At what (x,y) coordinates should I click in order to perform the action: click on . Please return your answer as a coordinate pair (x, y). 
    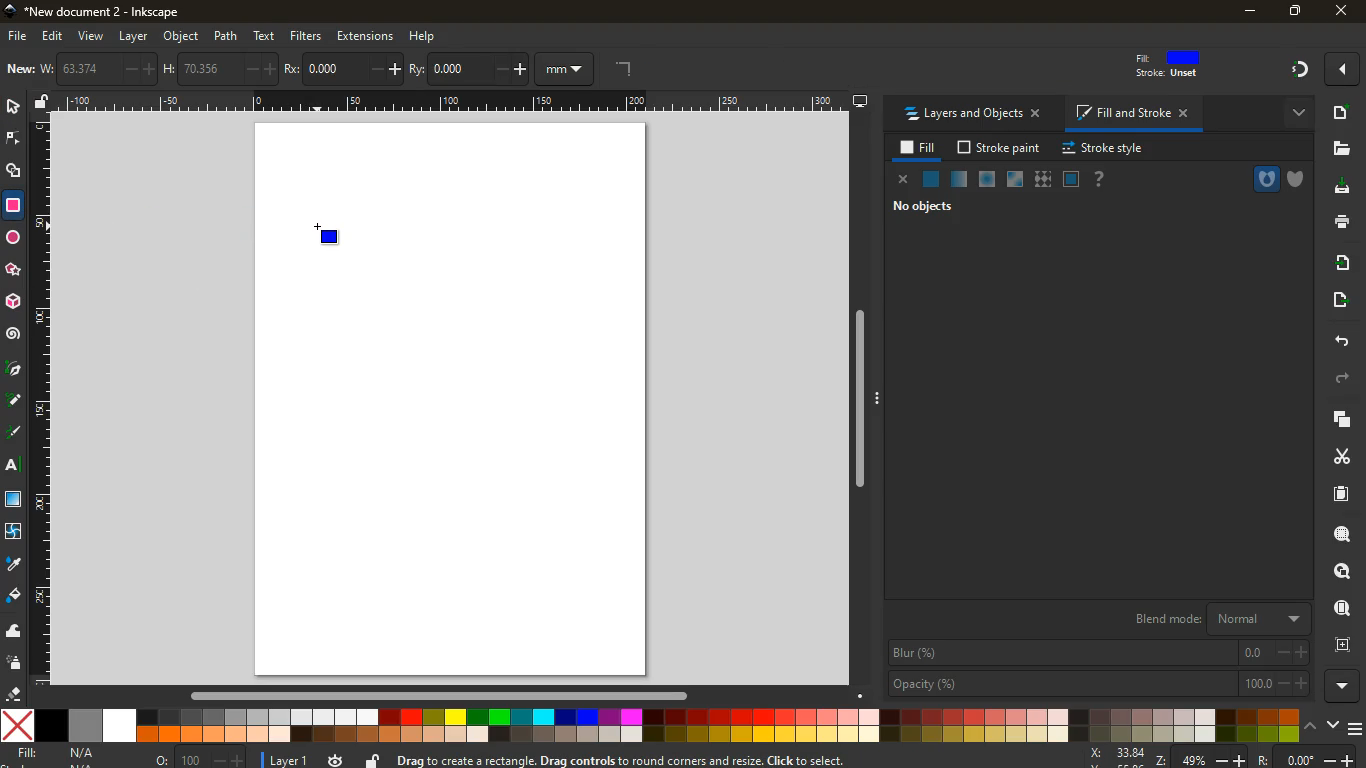
    Looking at the image, I should click on (13, 240).